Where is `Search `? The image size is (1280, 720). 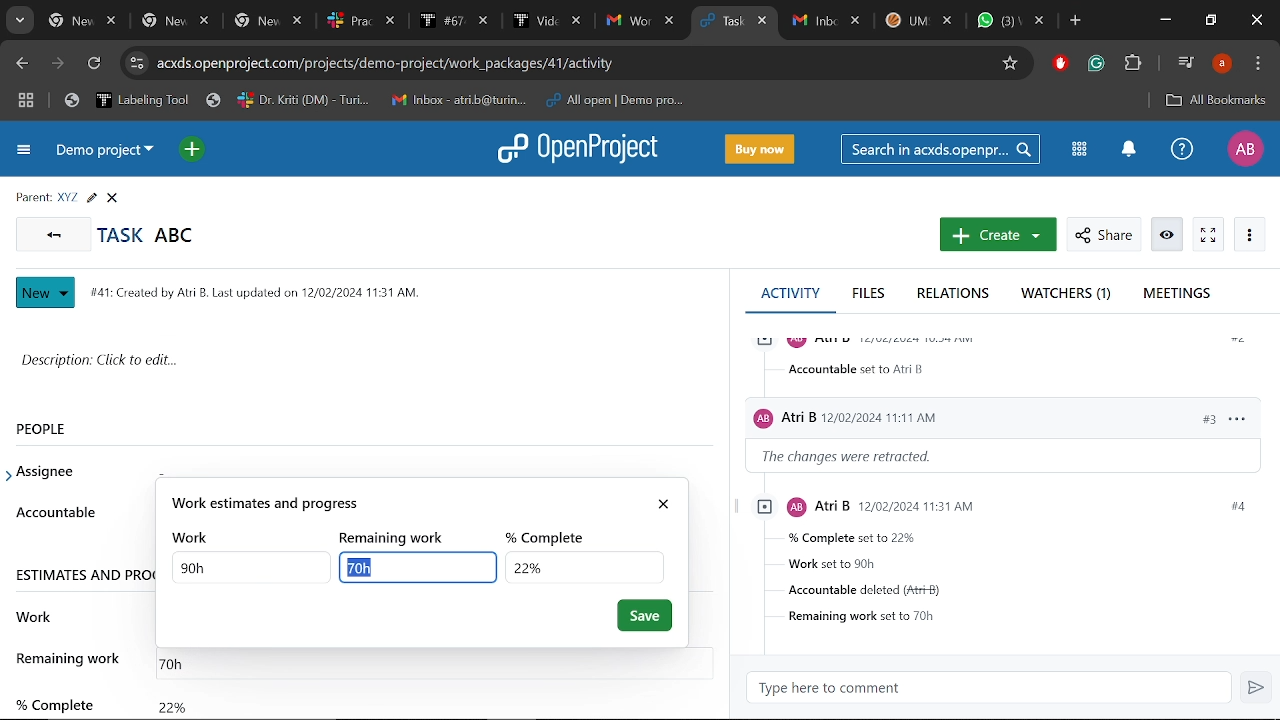 Search  is located at coordinates (943, 149).